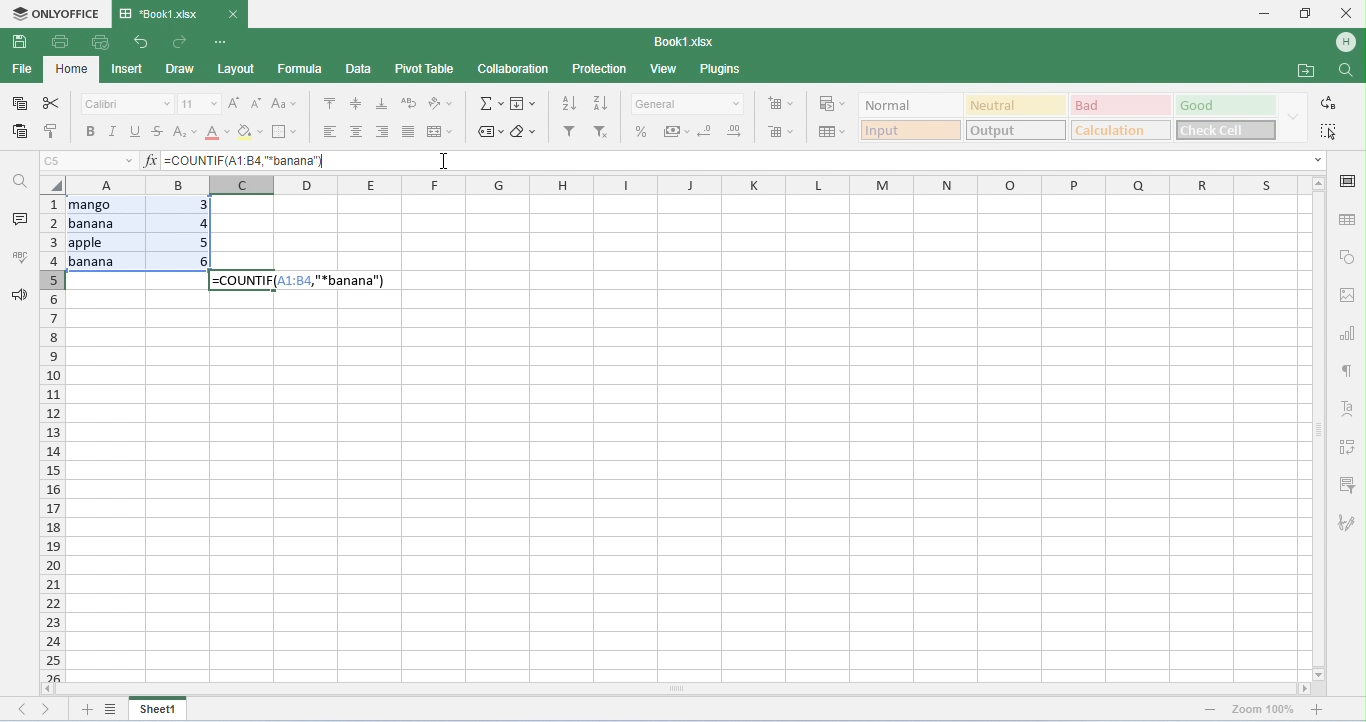 The image size is (1366, 722). What do you see at coordinates (283, 104) in the screenshot?
I see `change case` at bounding box center [283, 104].